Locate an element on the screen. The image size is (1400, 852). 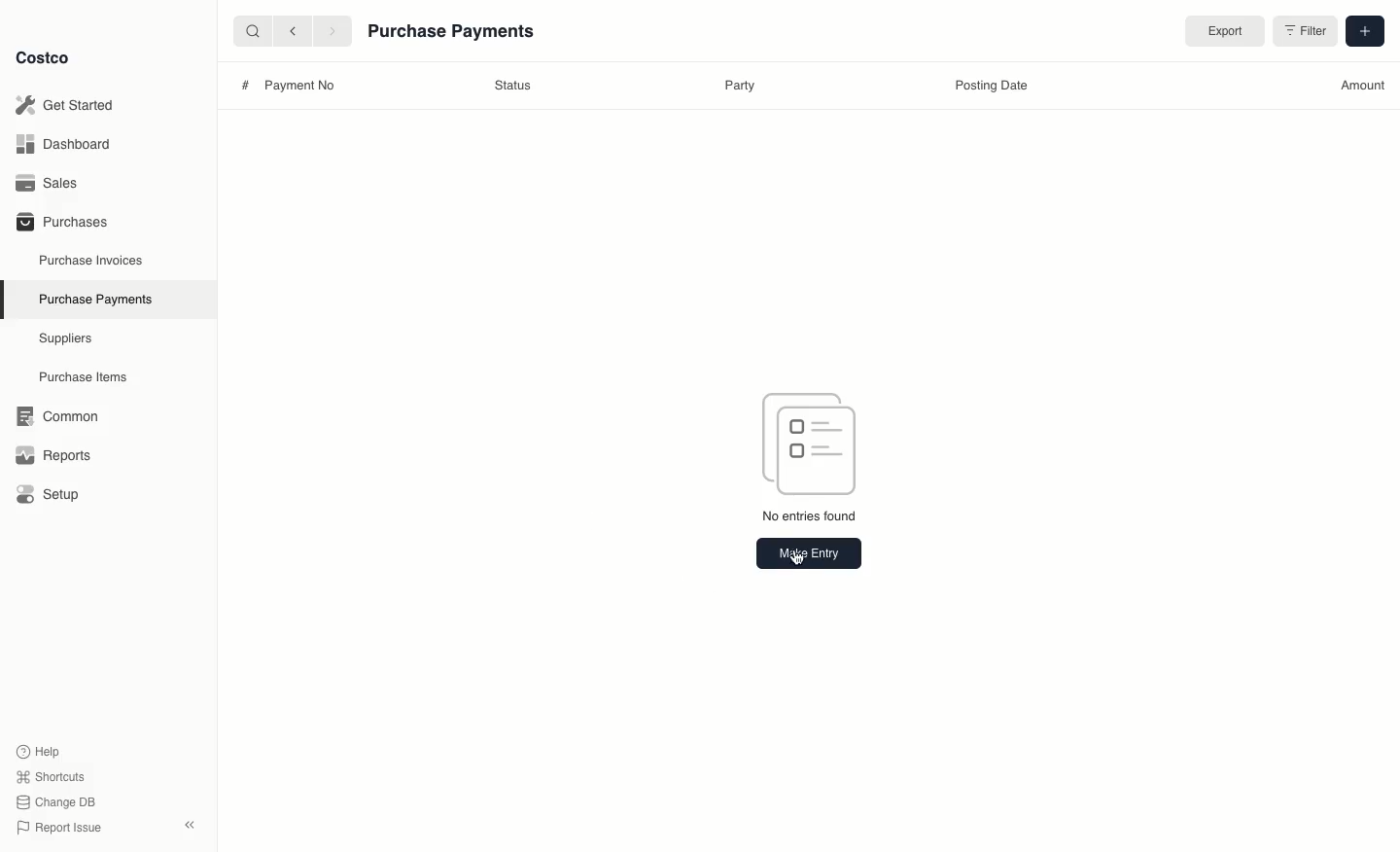
Get Started is located at coordinates (69, 105).